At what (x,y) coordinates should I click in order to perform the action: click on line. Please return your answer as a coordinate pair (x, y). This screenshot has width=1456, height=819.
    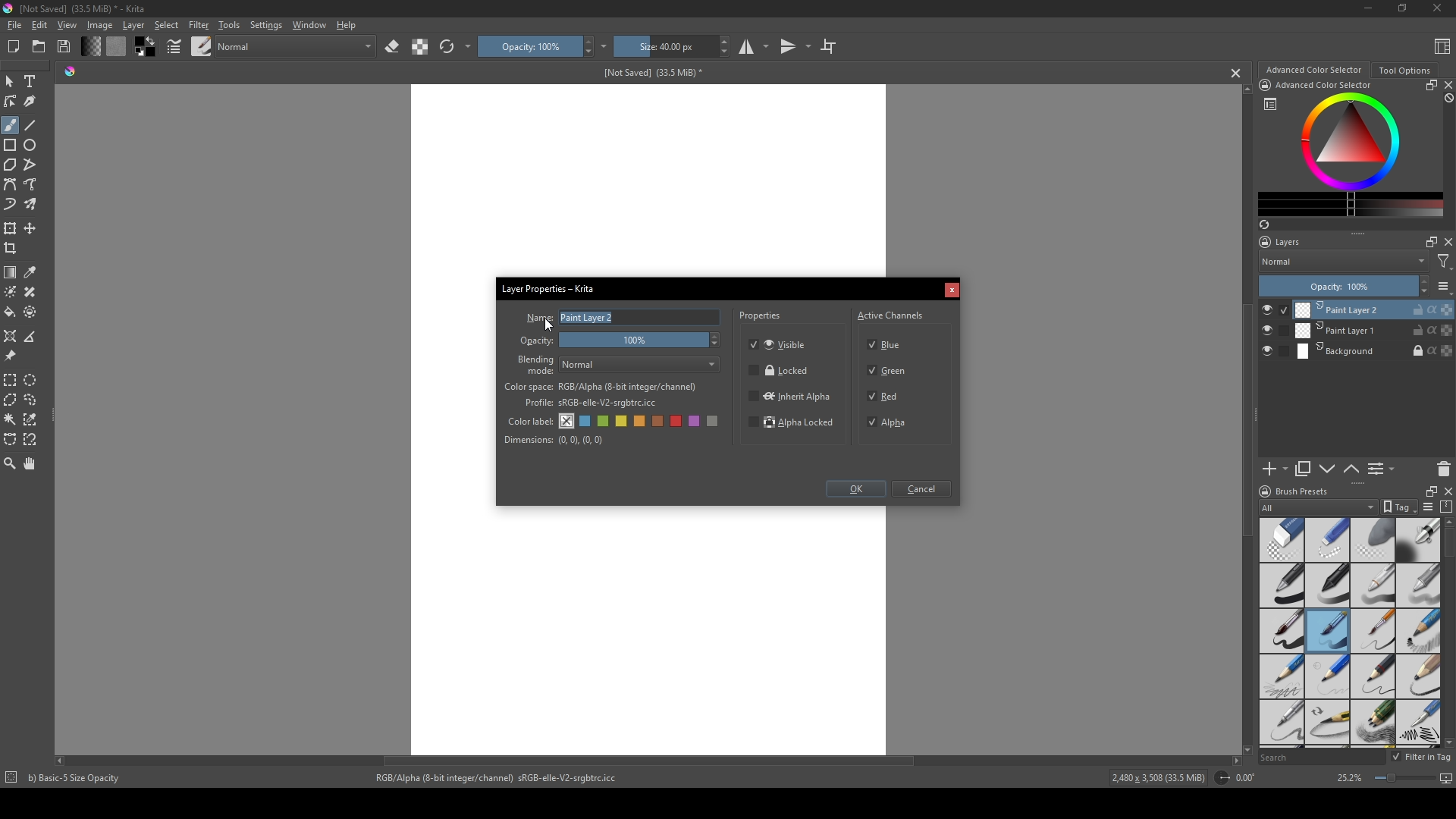
    Looking at the image, I should click on (31, 125).